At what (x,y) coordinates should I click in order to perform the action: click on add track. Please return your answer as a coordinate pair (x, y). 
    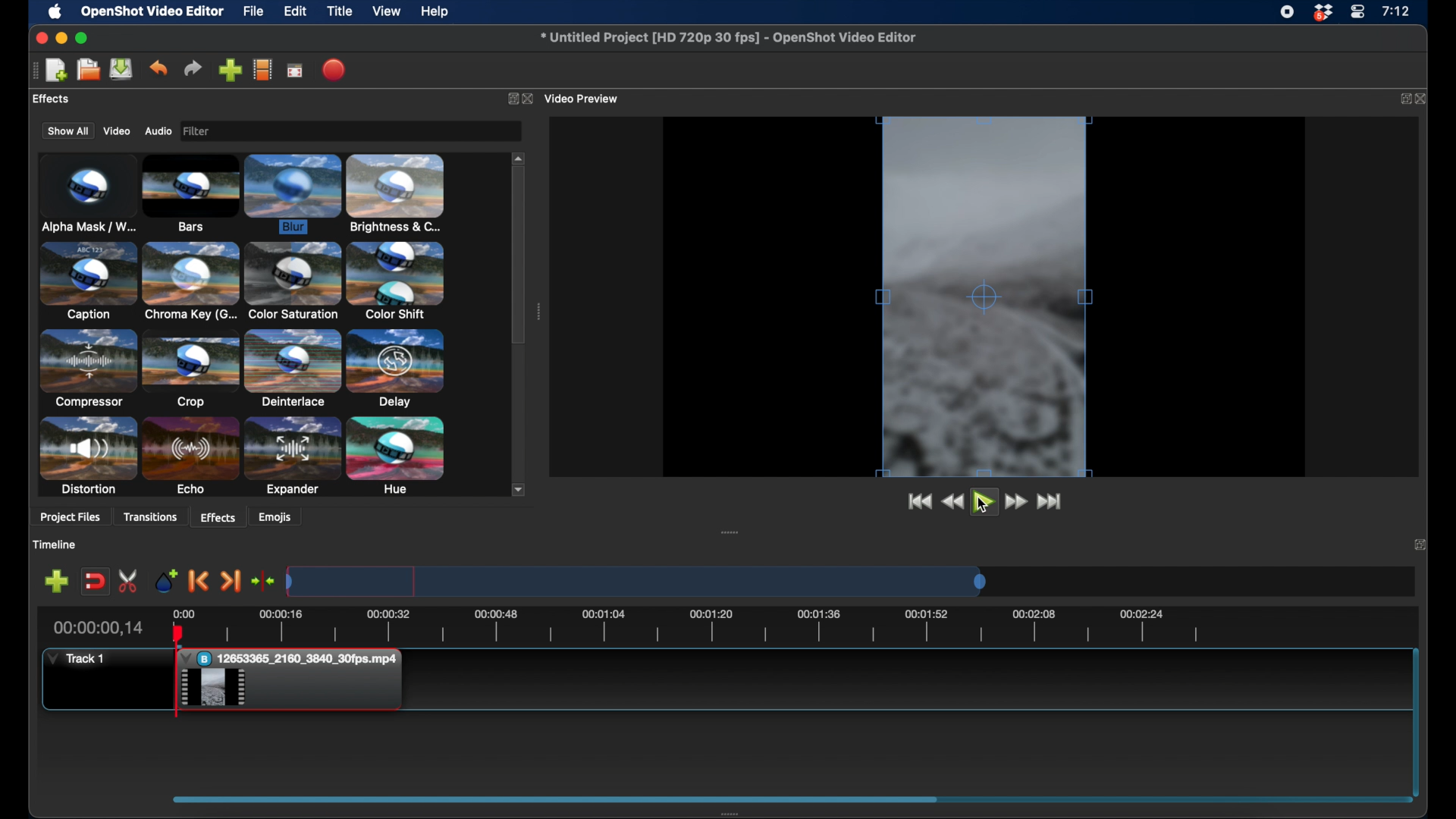
    Looking at the image, I should click on (58, 580).